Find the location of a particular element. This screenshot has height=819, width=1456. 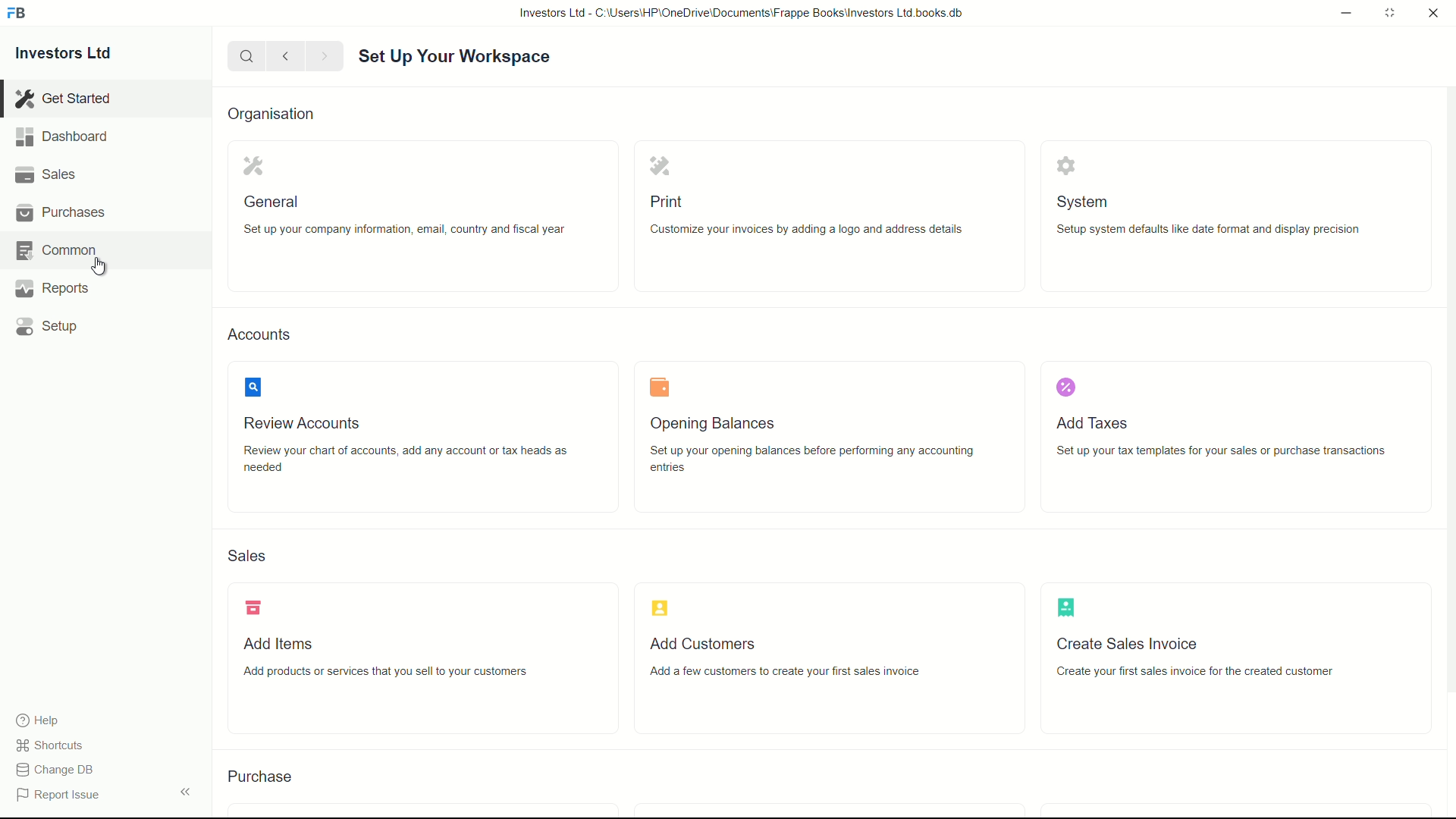

Purchase is located at coordinates (266, 777).